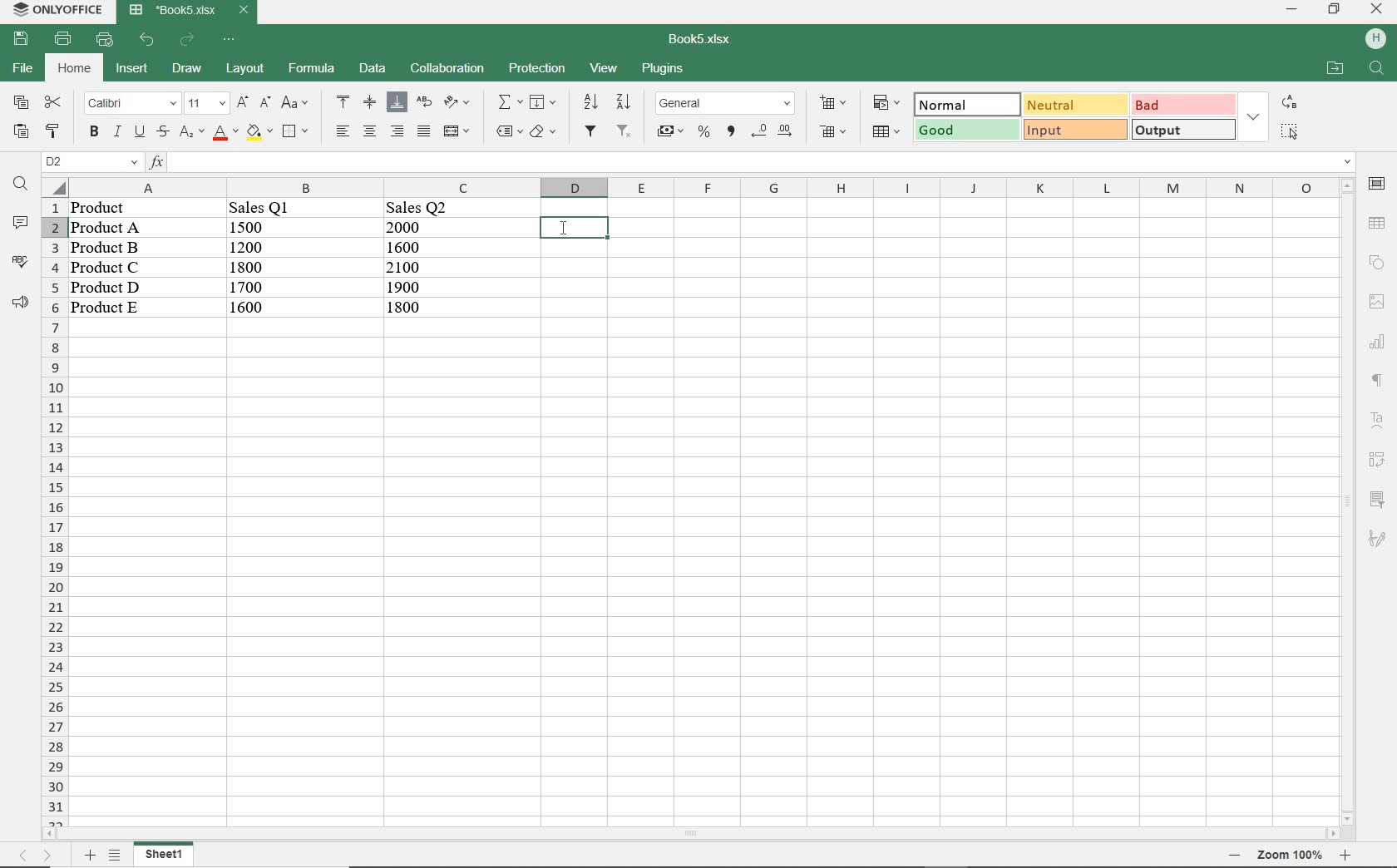 The image size is (1397, 868). Describe the element at coordinates (1377, 382) in the screenshot. I see `paragraph settings` at that location.